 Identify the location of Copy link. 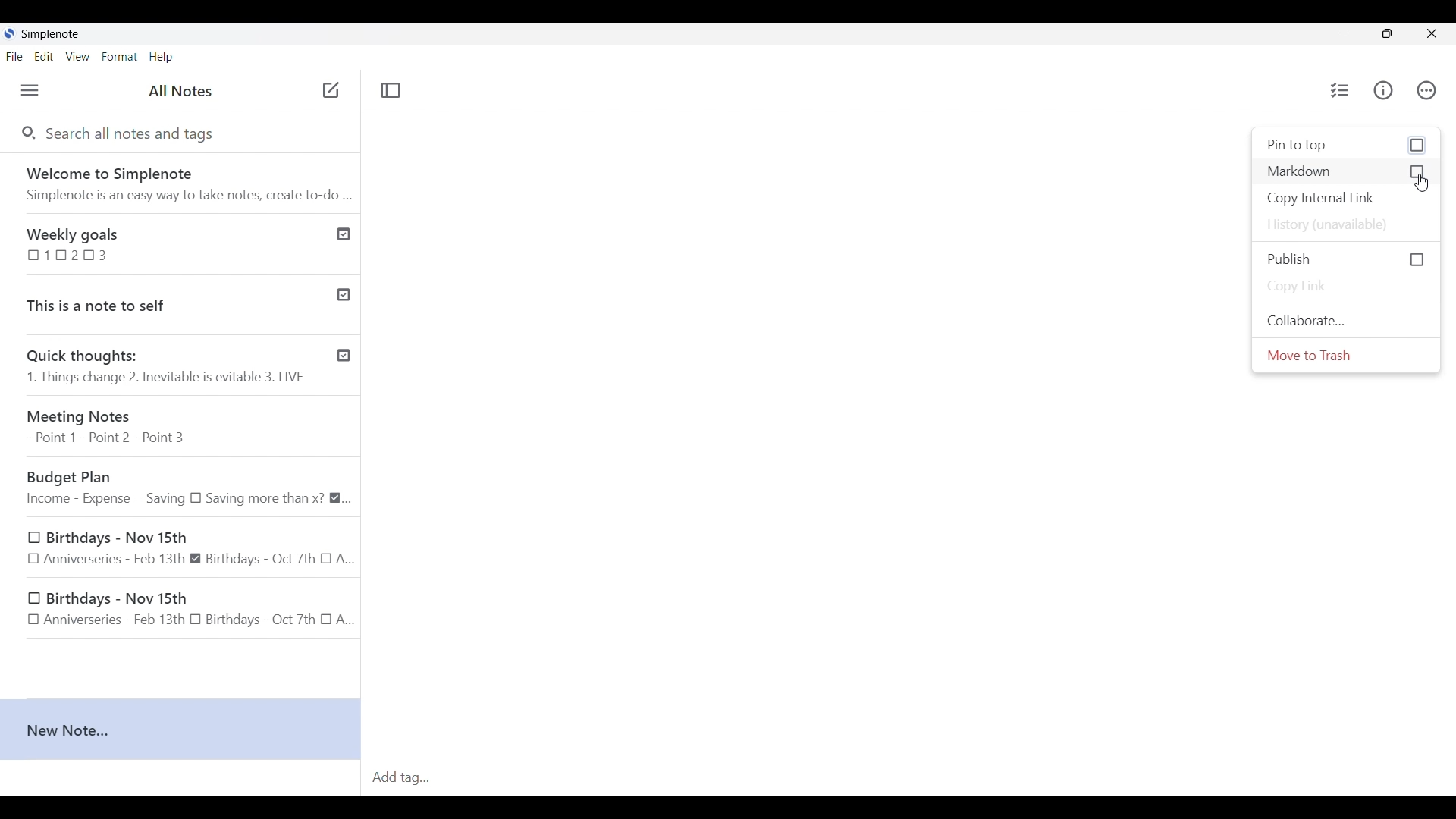
(1346, 287).